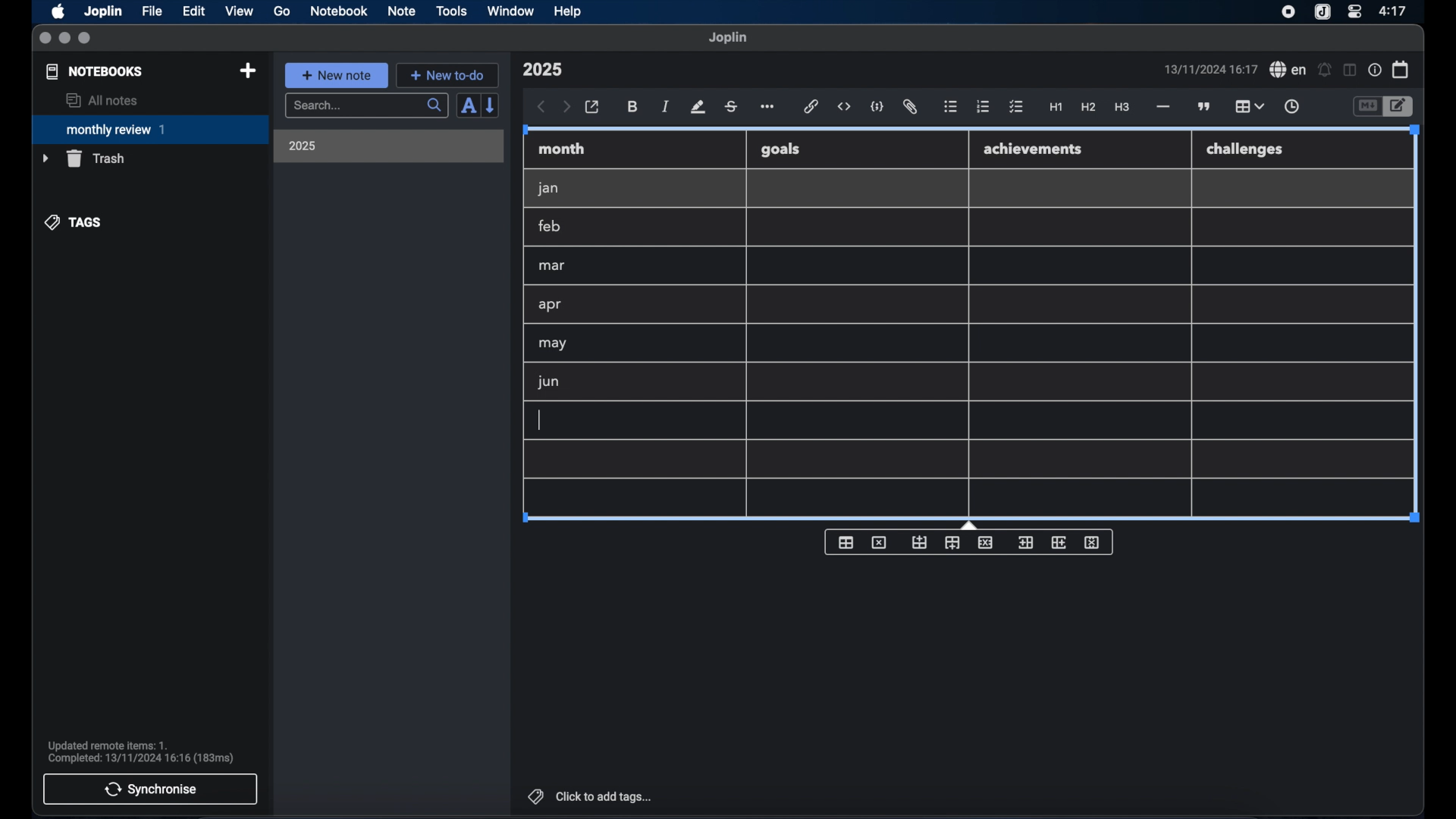 The width and height of the screenshot is (1456, 819). I want to click on close, so click(45, 39).